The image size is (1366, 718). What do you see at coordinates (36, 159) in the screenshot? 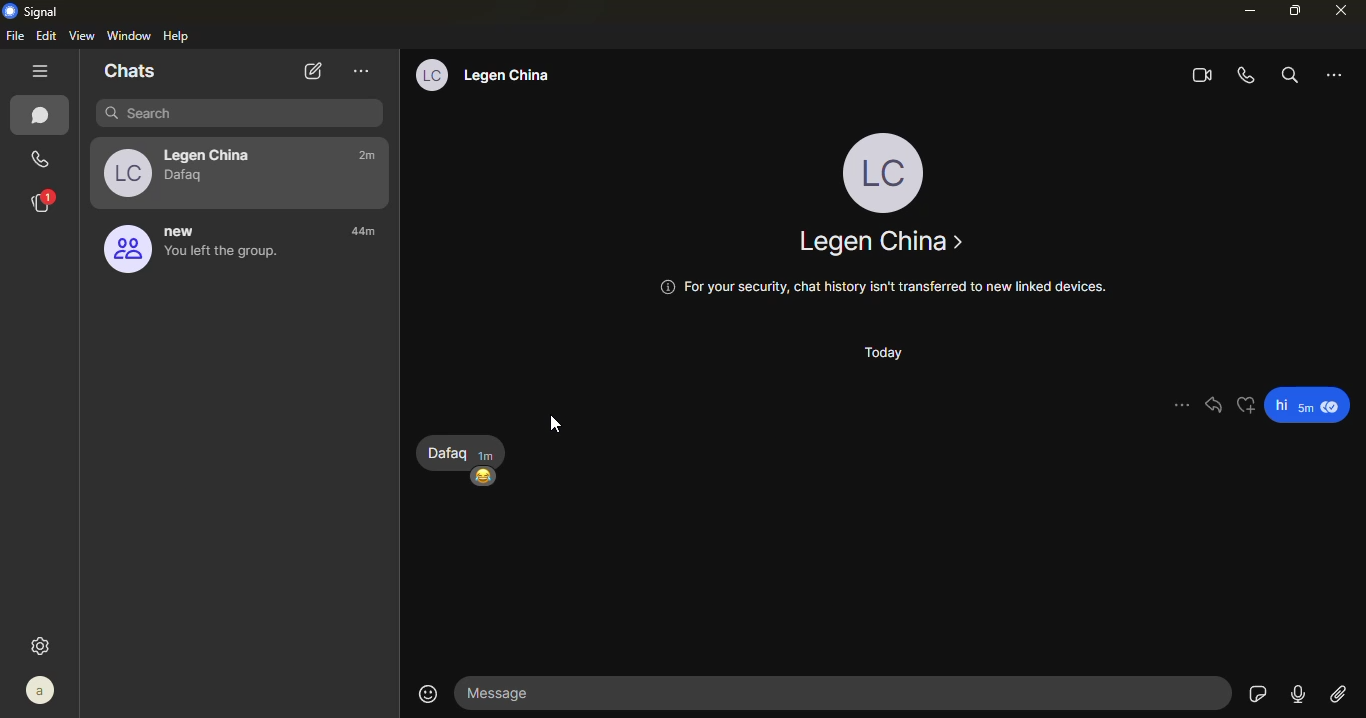
I see `calls` at bounding box center [36, 159].